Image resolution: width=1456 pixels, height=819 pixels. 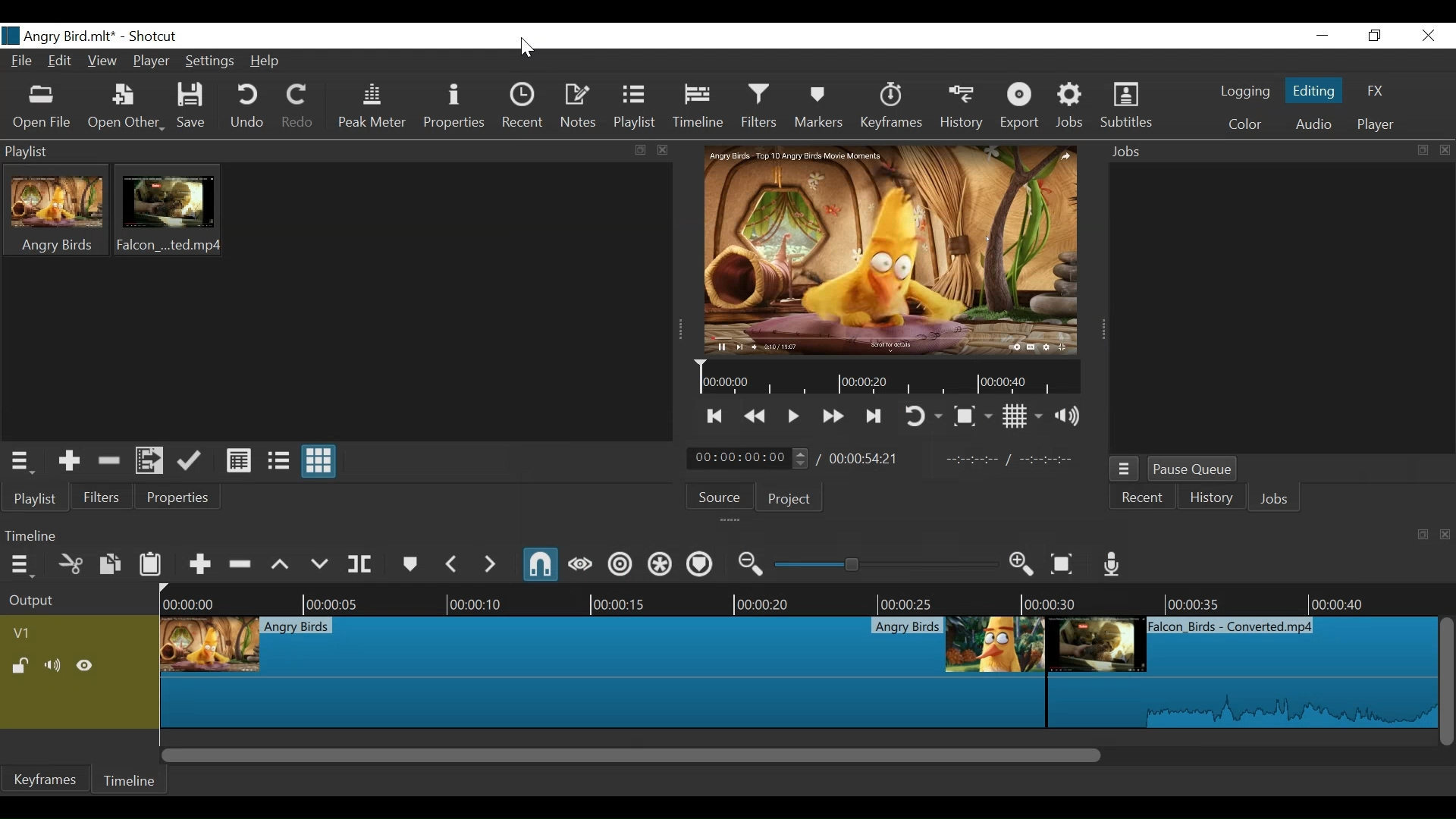 What do you see at coordinates (658, 565) in the screenshot?
I see `Ripple all tracks` at bounding box center [658, 565].